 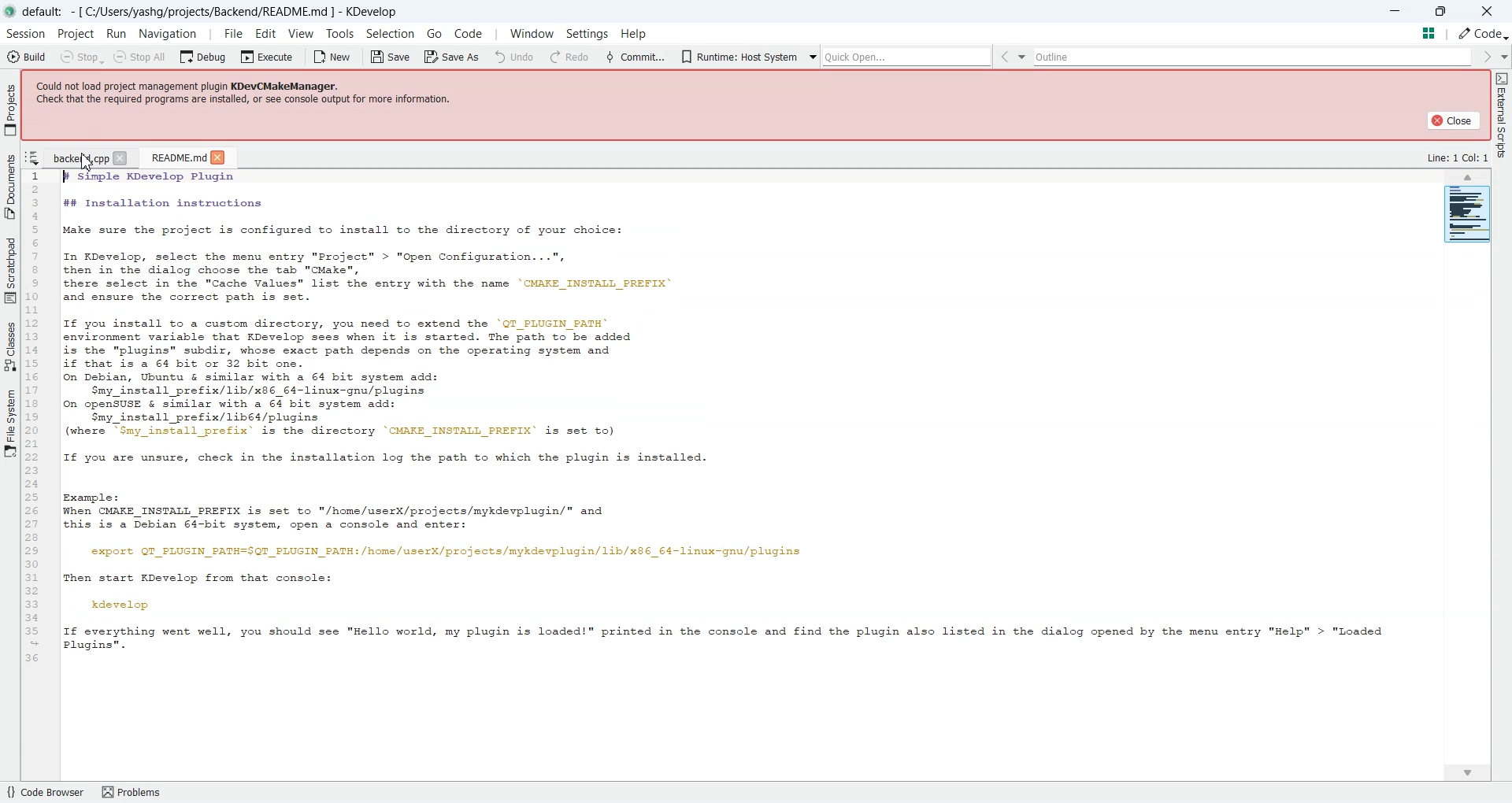 I want to click on Outline, so click(x=1039, y=57).